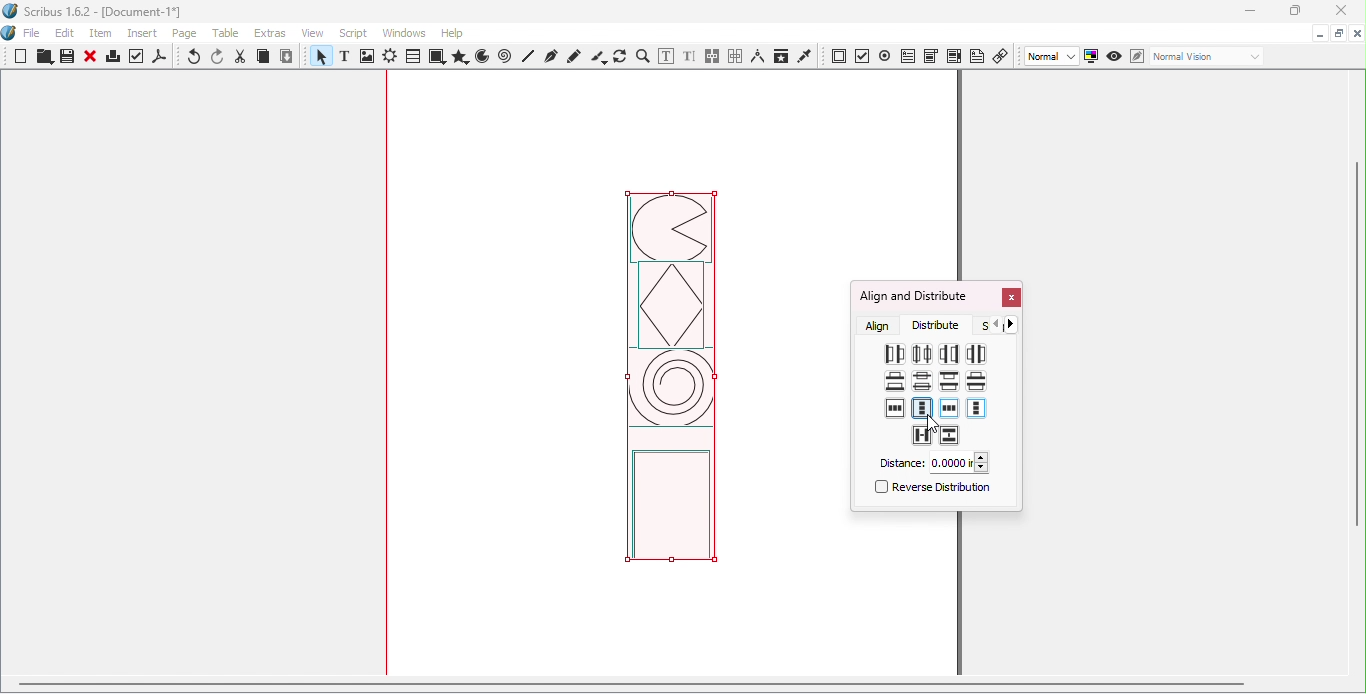  What do you see at coordinates (458, 57) in the screenshot?
I see `Polygon` at bounding box center [458, 57].